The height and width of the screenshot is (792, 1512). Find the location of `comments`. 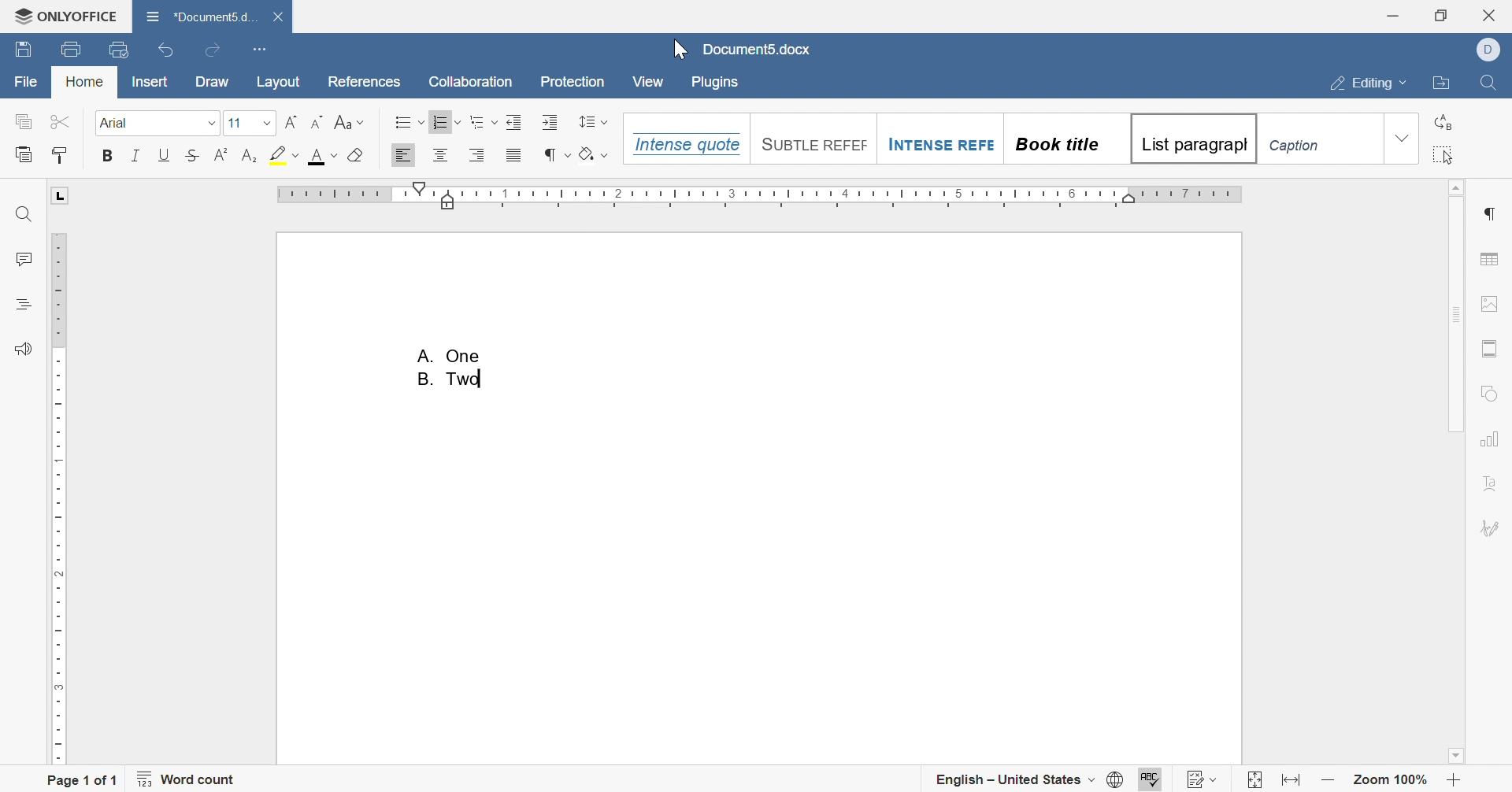

comments is located at coordinates (23, 257).